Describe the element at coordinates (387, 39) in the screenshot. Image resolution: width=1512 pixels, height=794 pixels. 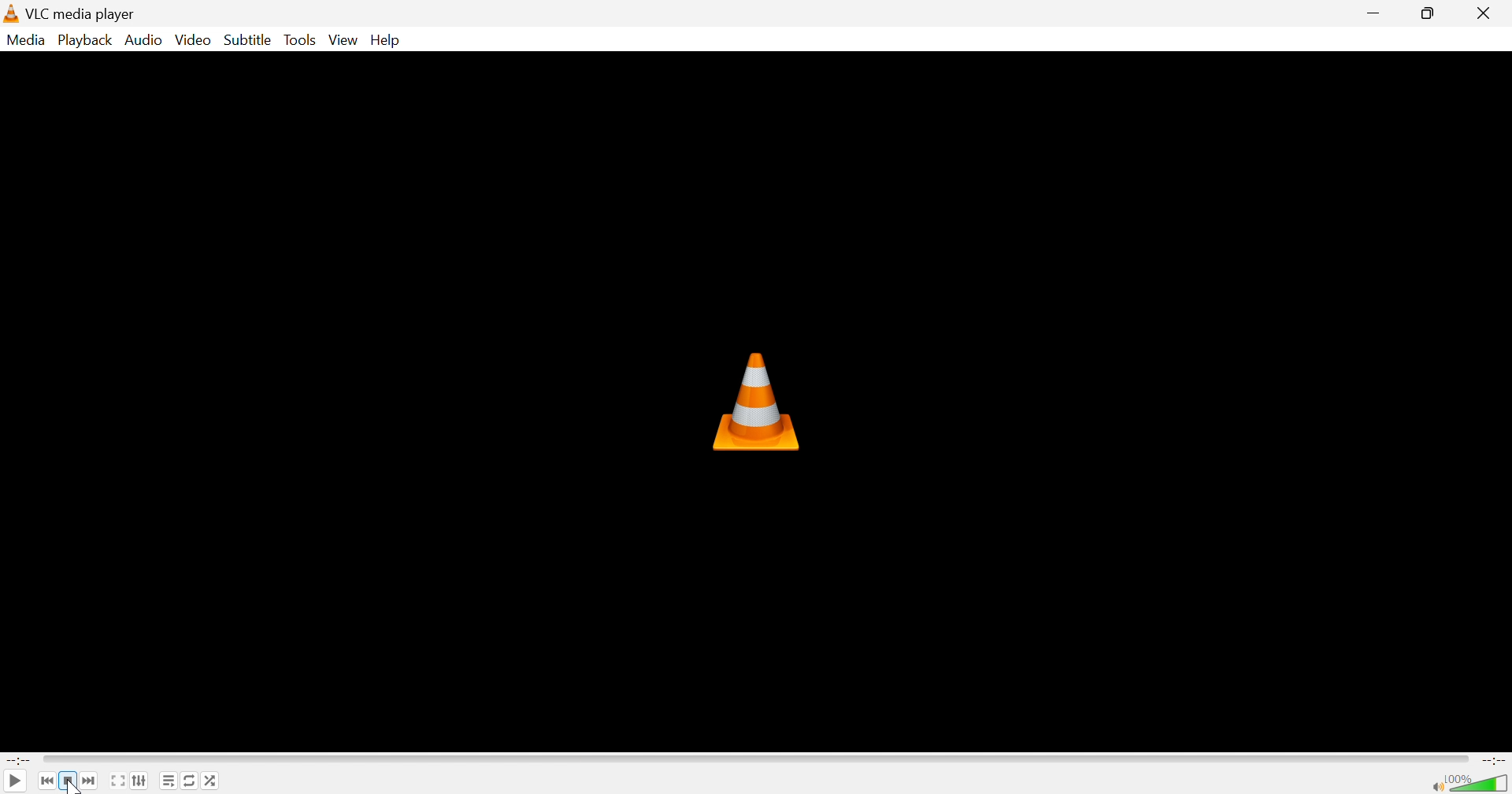
I see `Help` at that location.